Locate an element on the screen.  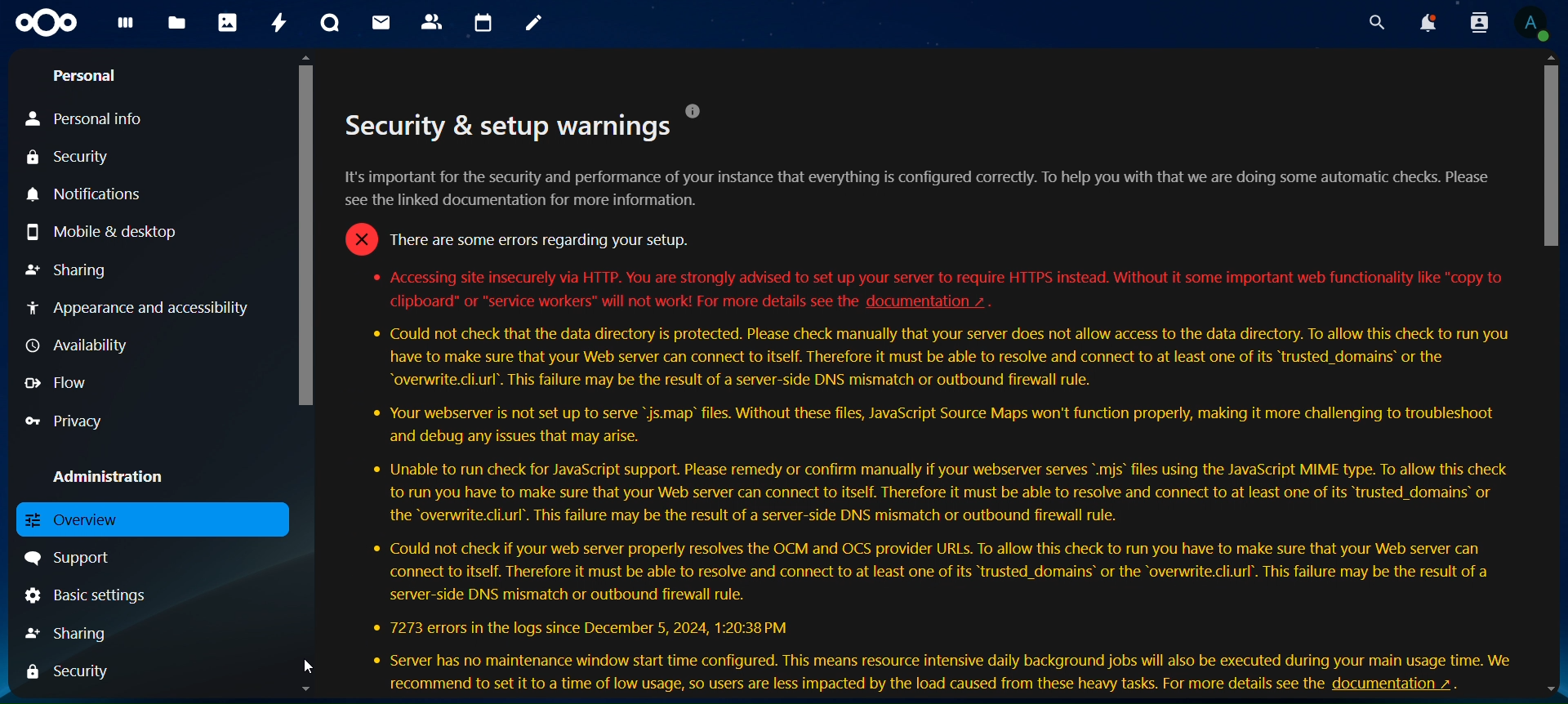
secutity setup warnings description is located at coordinates (930, 394).